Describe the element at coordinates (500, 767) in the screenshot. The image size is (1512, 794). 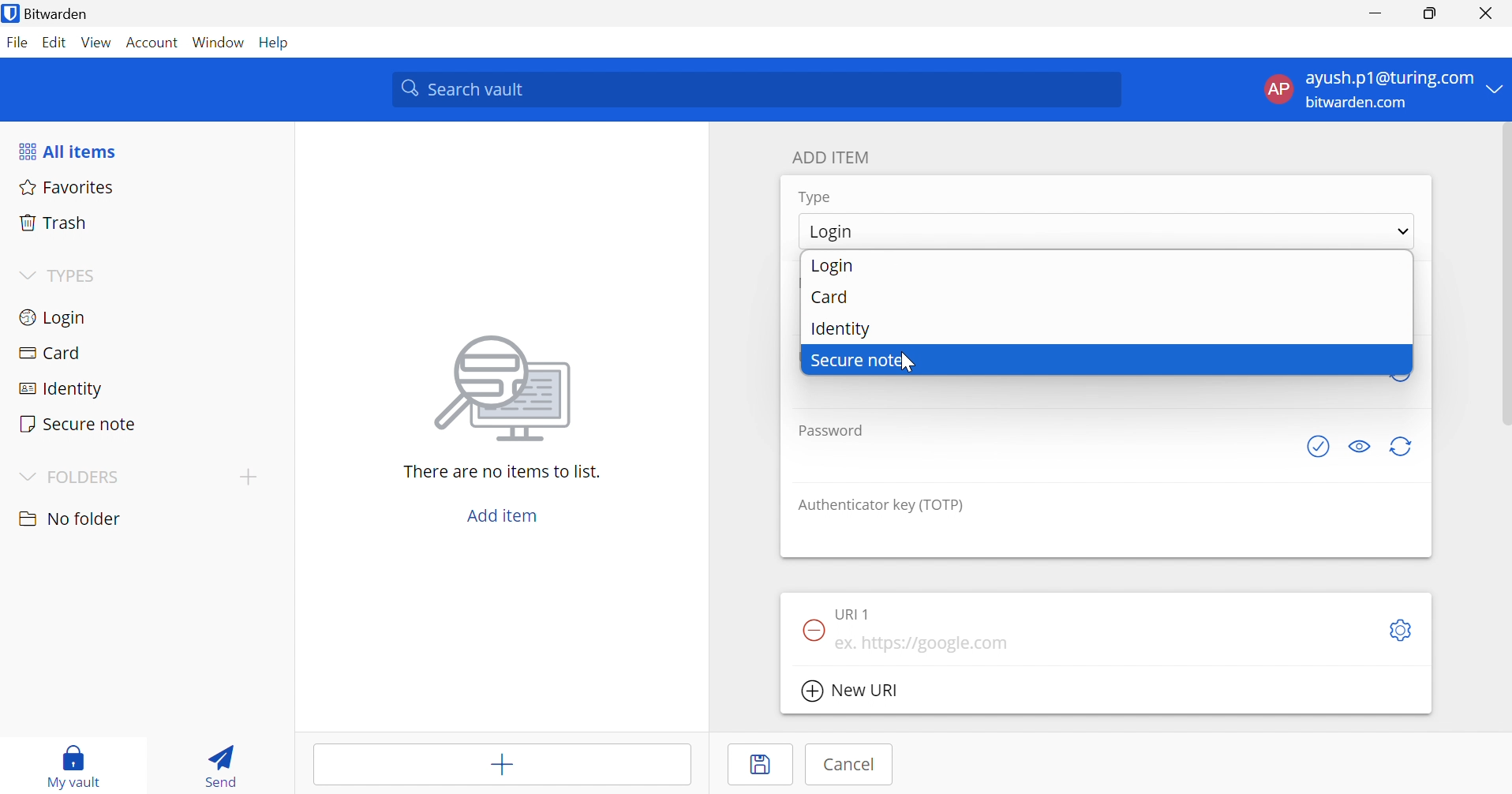
I see `Add item` at that location.